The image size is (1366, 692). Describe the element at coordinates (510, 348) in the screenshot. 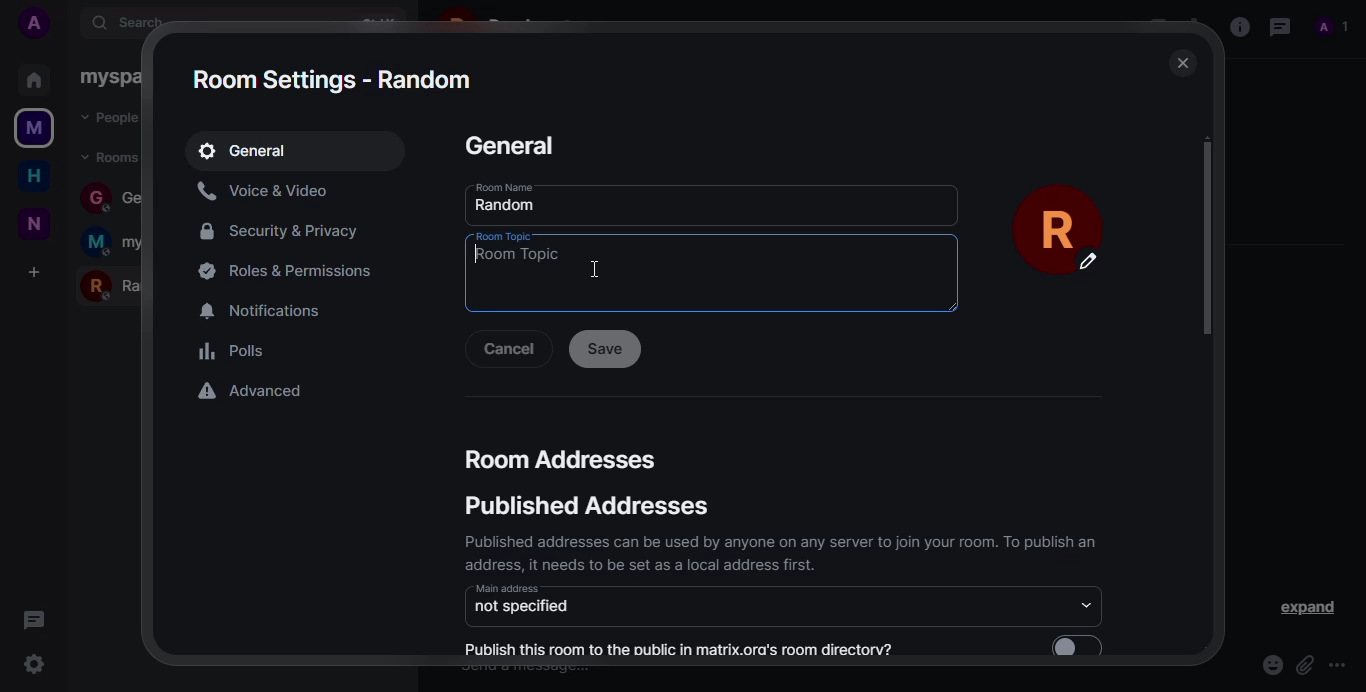

I see `cancel` at that location.